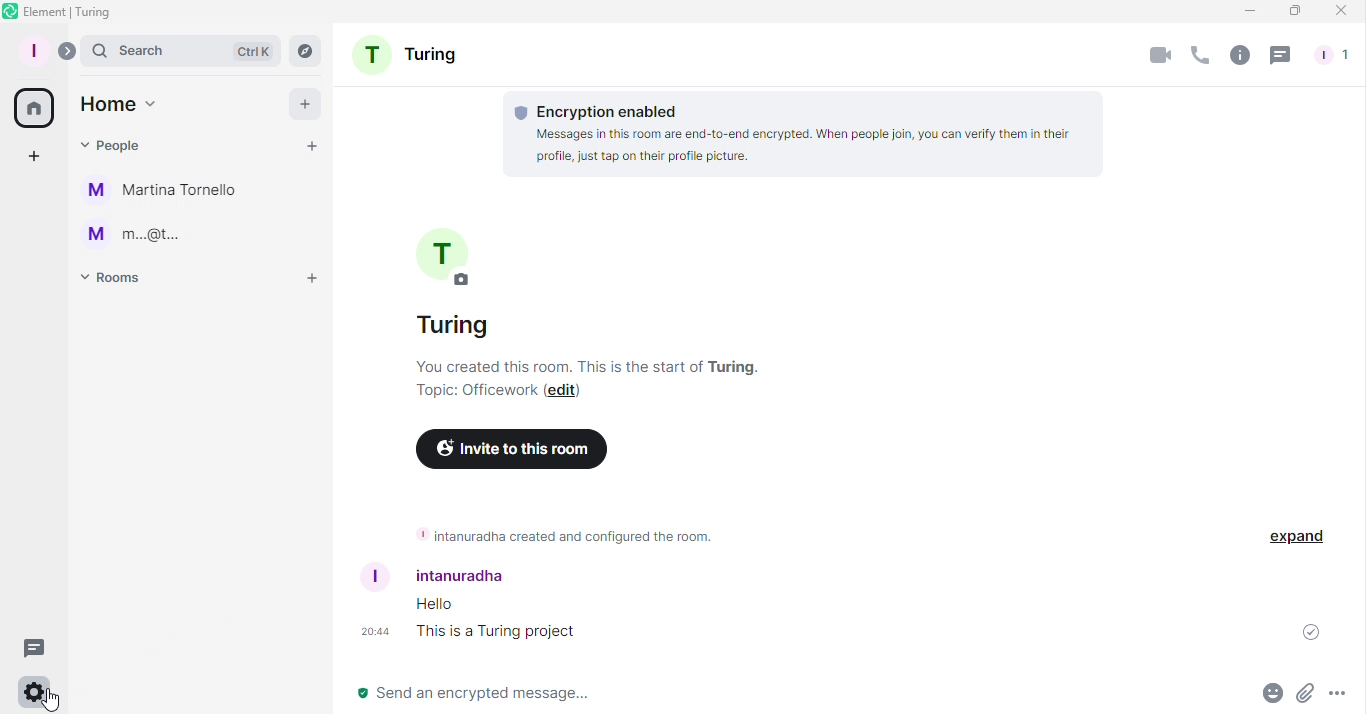  What do you see at coordinates (180, 50) in the screenshot?
I see `Search bar` at bounding box center [180, 50].